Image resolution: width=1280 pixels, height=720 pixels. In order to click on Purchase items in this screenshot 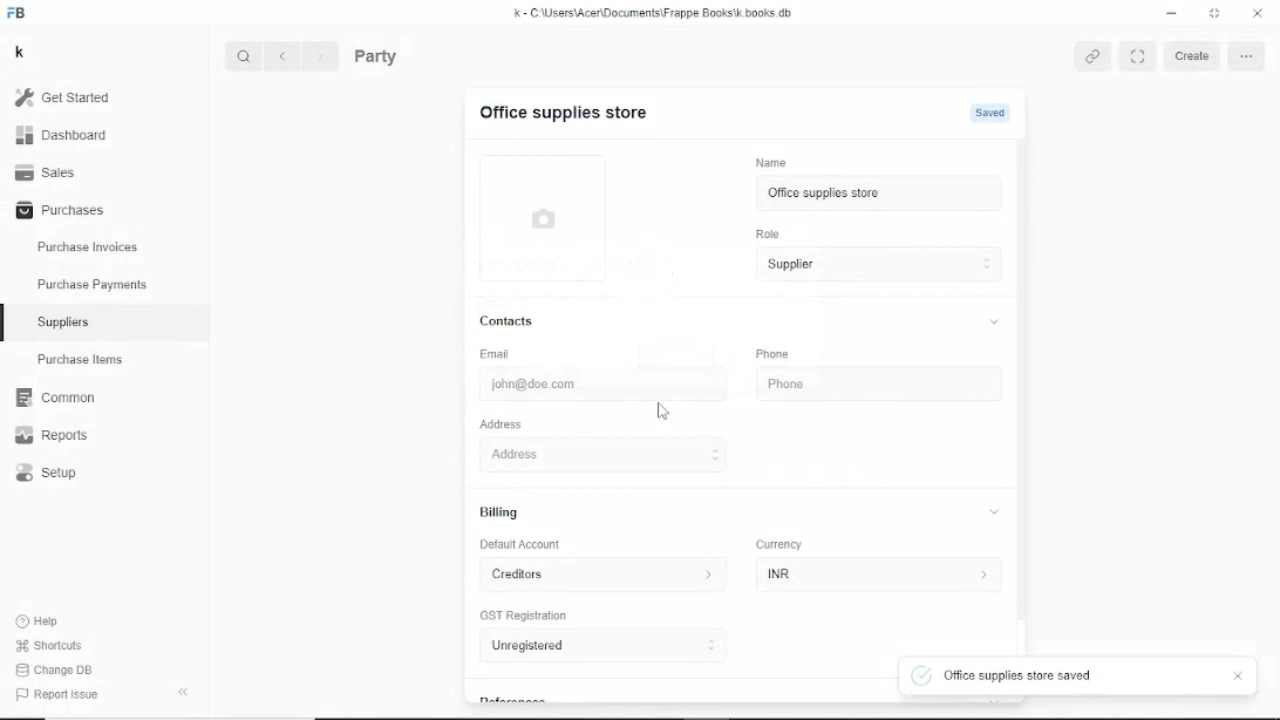, I will do `click(79, 359)`.